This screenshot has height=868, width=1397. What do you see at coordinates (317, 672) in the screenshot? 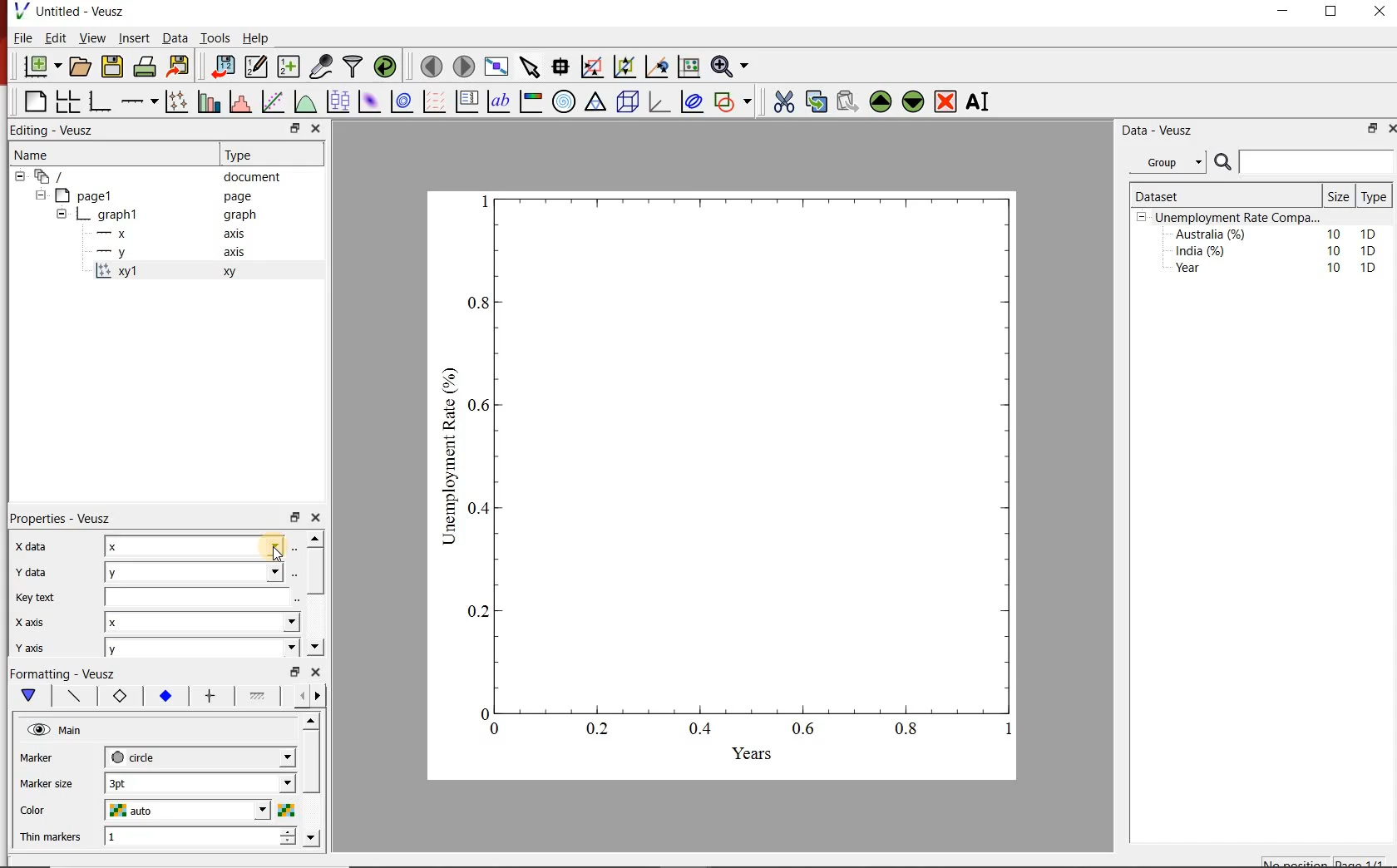
I see `close` at bounding box center [317, 672].